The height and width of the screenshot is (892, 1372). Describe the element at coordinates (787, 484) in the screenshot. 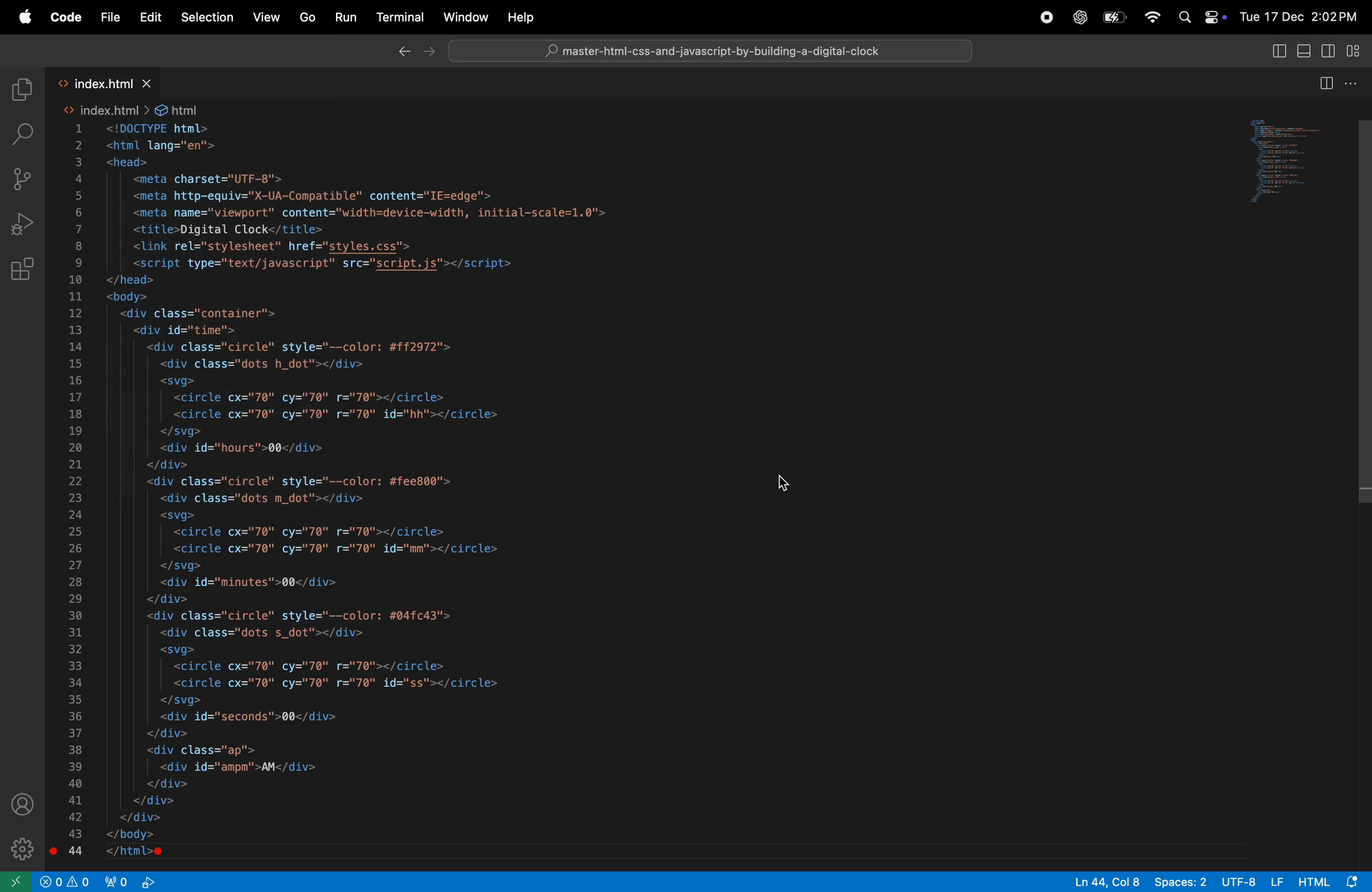

I see `cursor` at that location.